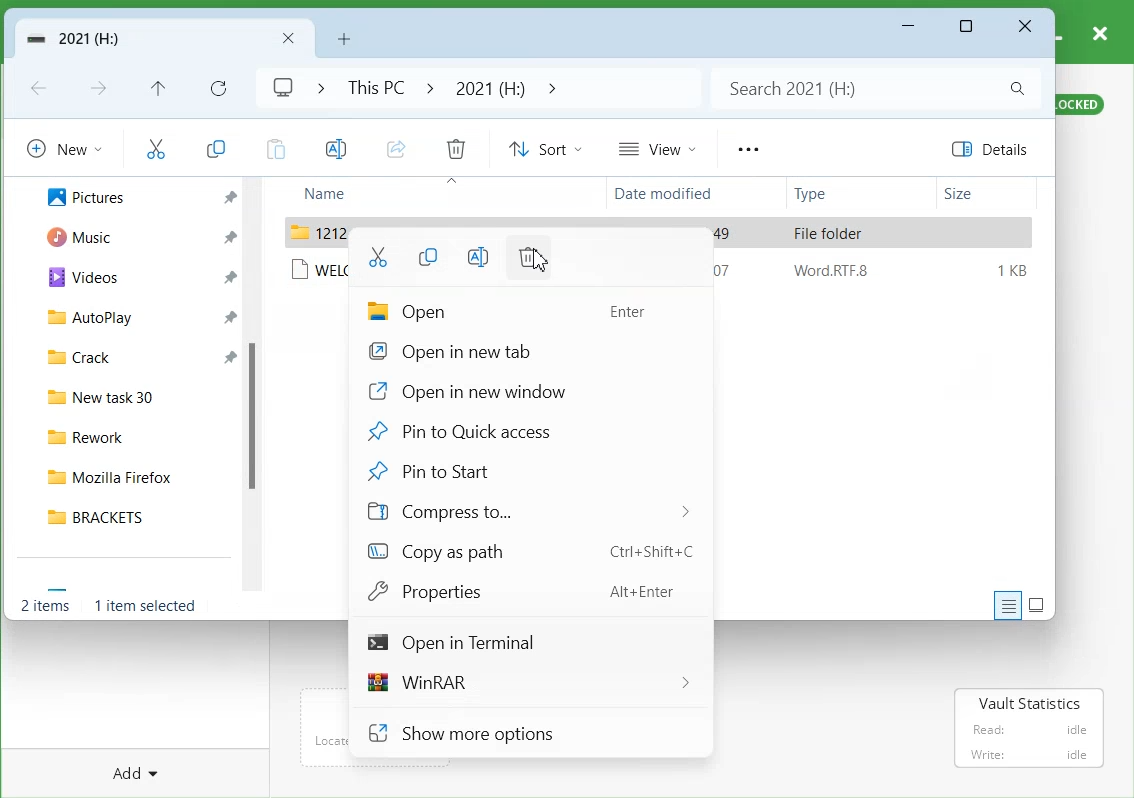  What do you see at coordinates (995, 149) in the screenshot?
I see `Details` at bounding box center [995, 149].